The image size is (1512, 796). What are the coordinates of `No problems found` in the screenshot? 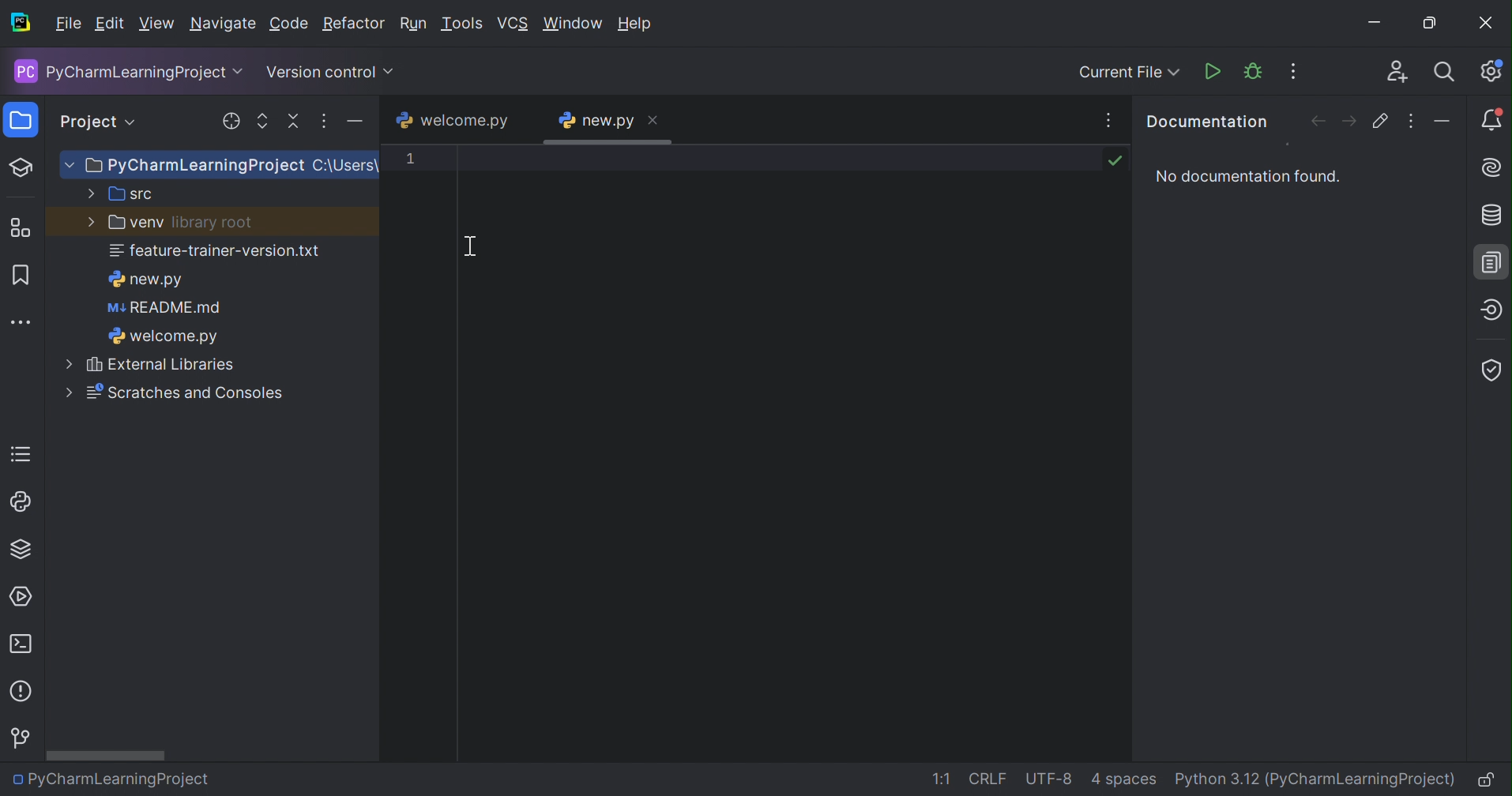 It's located at (1453, 161).